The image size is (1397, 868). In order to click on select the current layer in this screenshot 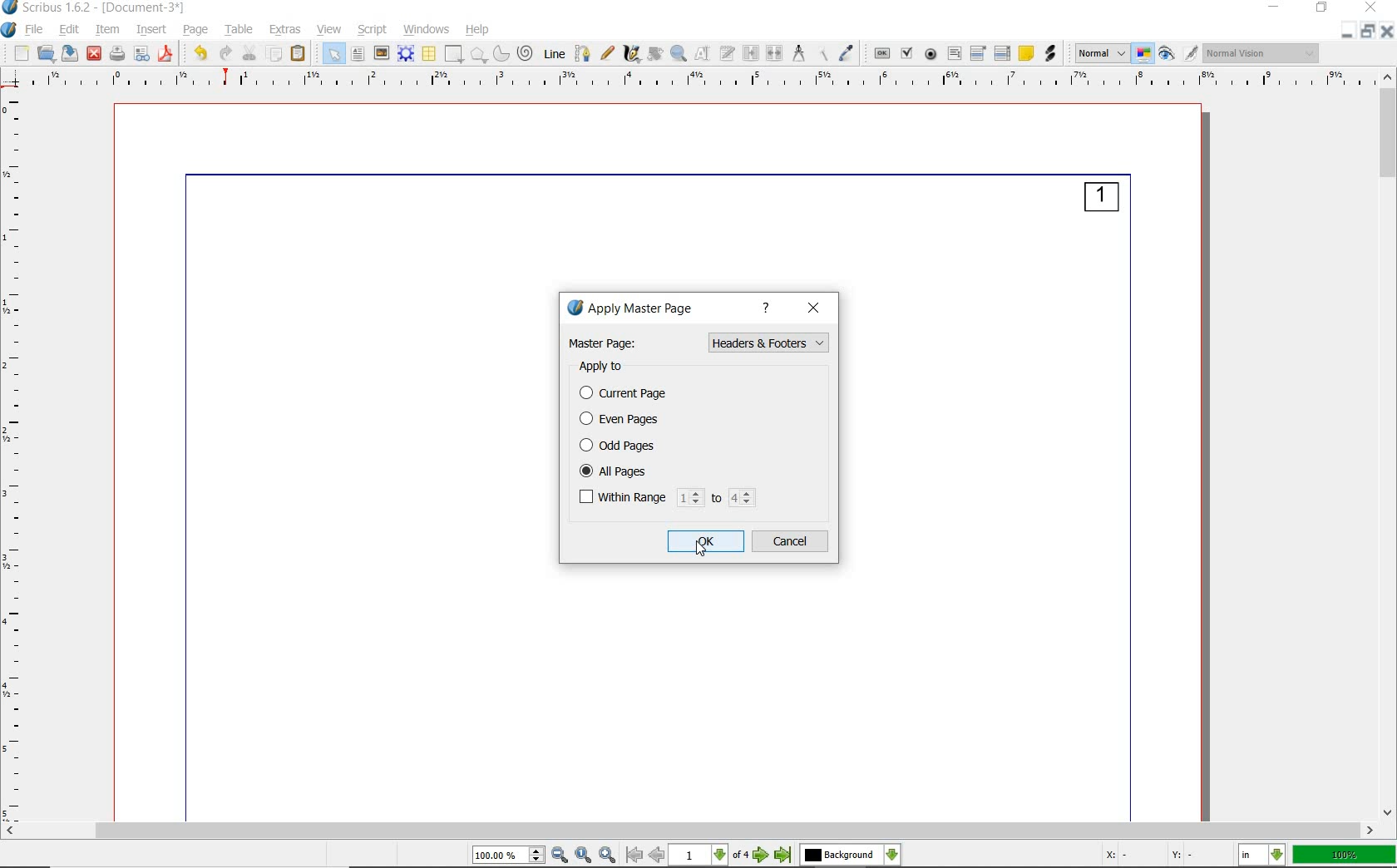, I will do `click(851, 856)`.